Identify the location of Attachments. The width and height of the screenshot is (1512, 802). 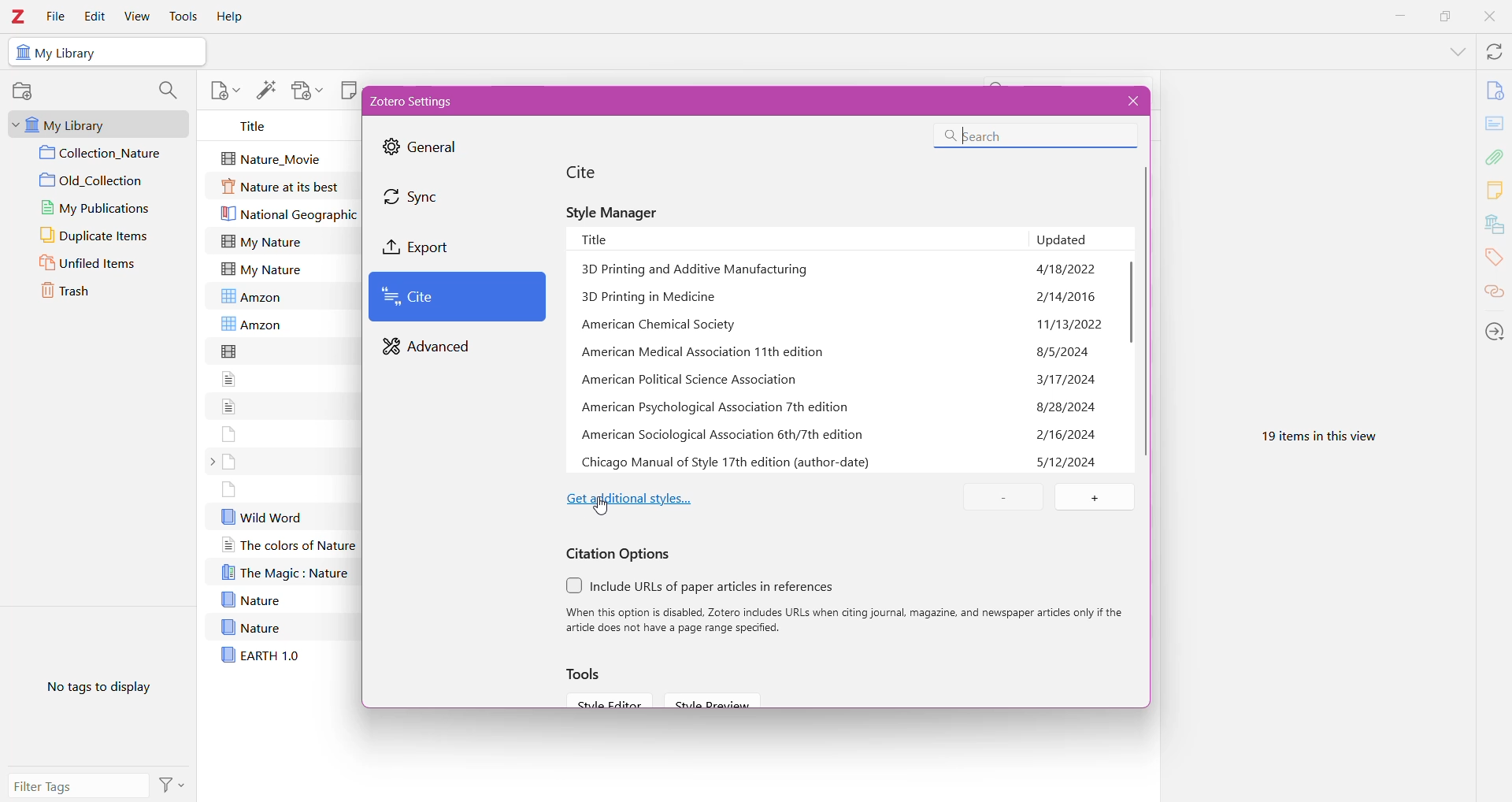
(1496, 156).